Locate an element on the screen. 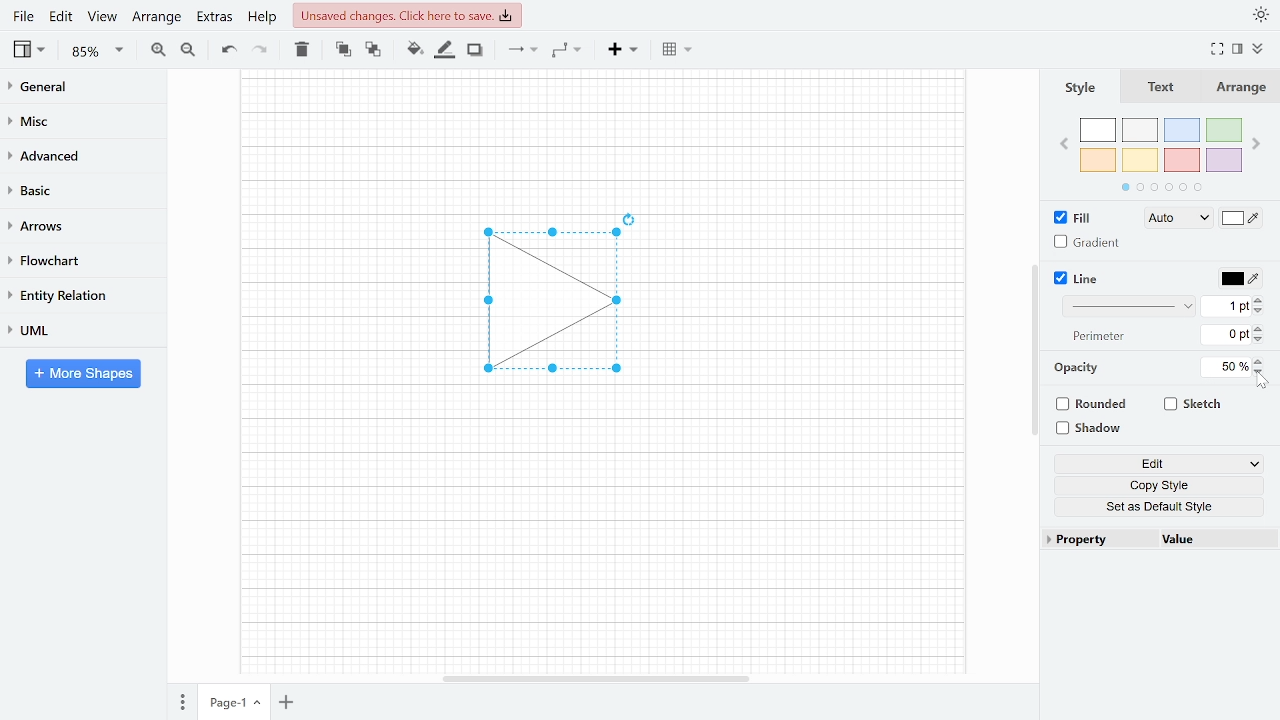  Set as default style is located at coordinates (1162, 506).